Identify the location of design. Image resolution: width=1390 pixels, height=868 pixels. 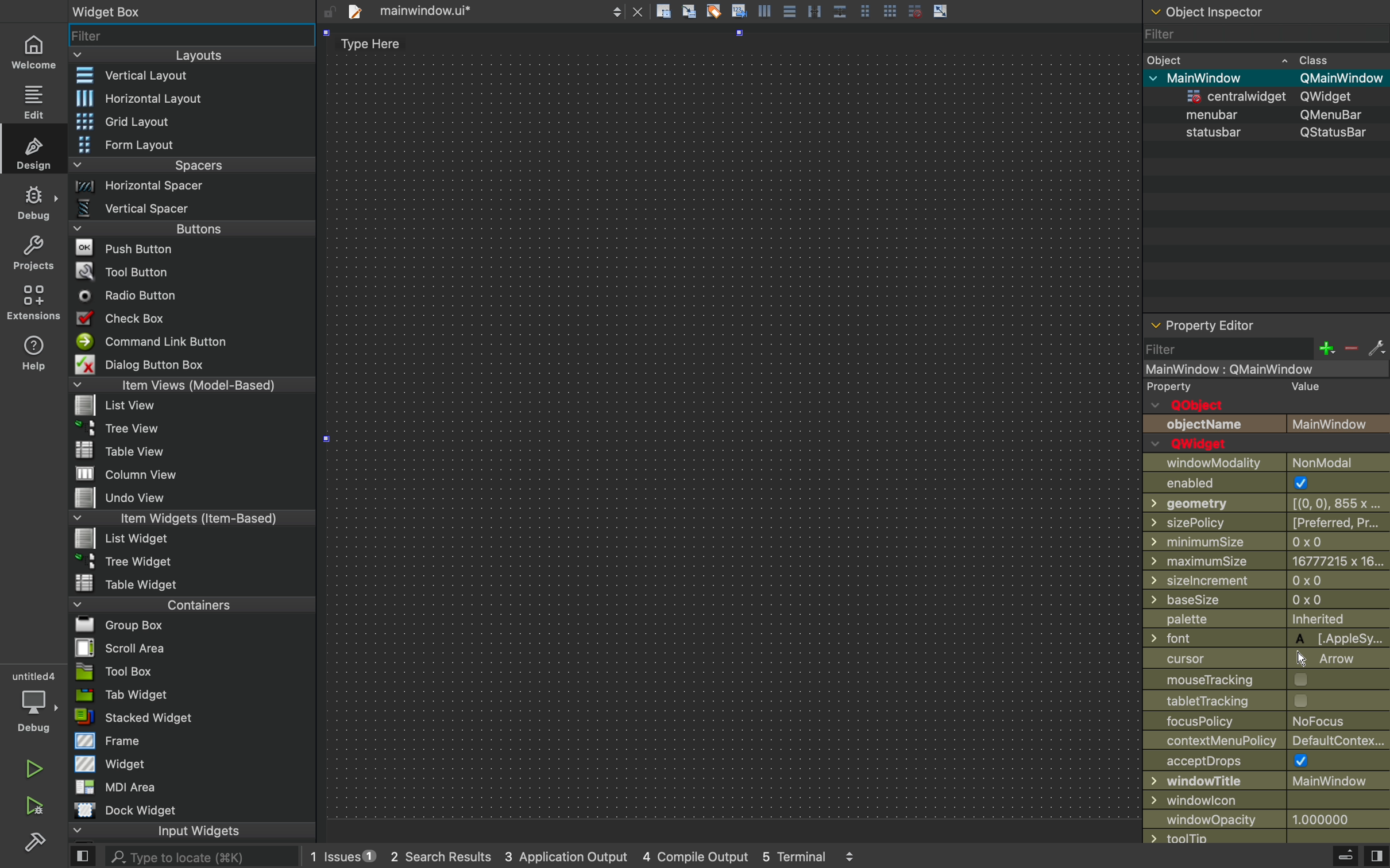
(33, 149).